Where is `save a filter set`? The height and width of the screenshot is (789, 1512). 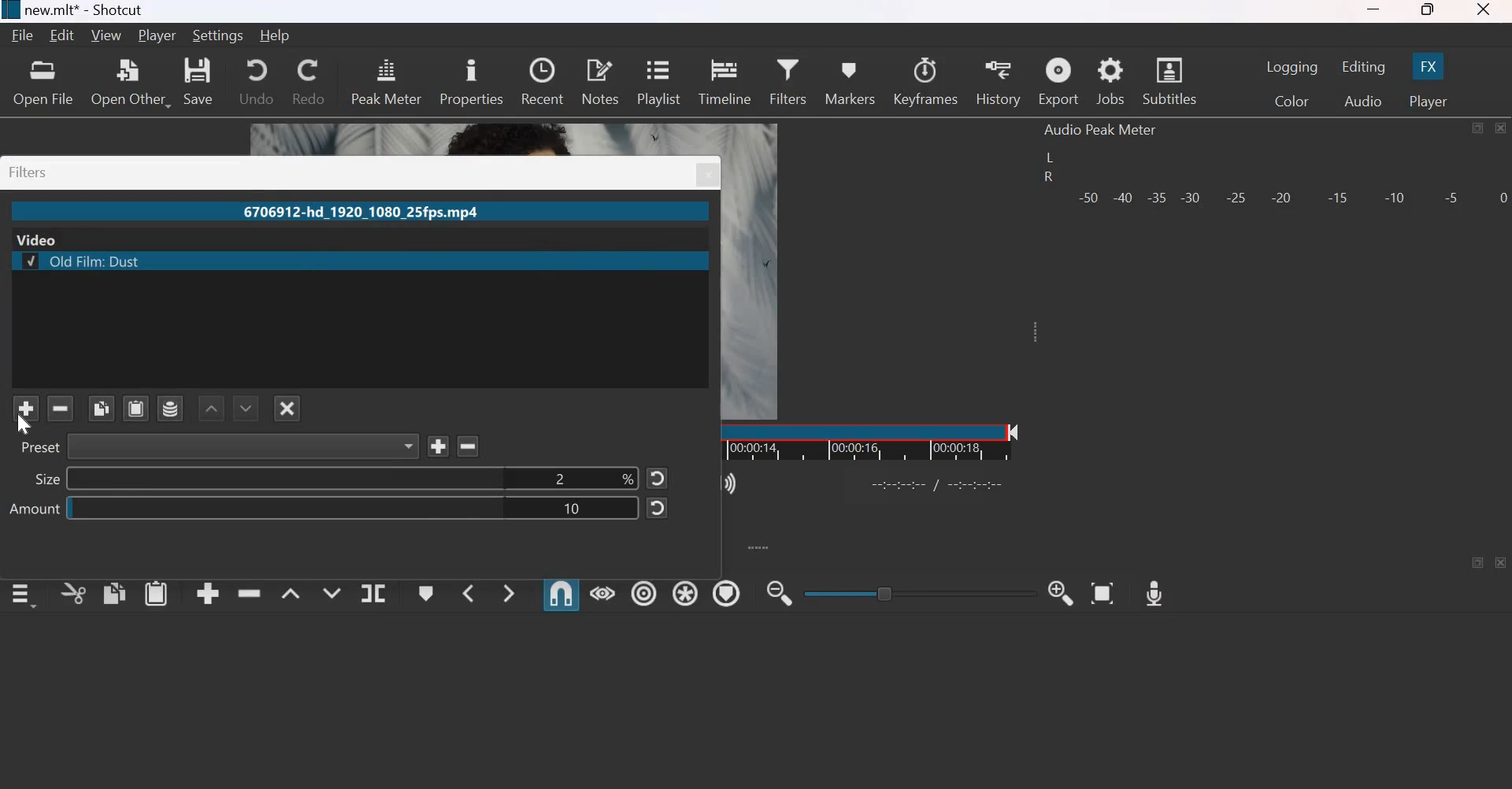
save a filter set is located at coordinates (171, 408).